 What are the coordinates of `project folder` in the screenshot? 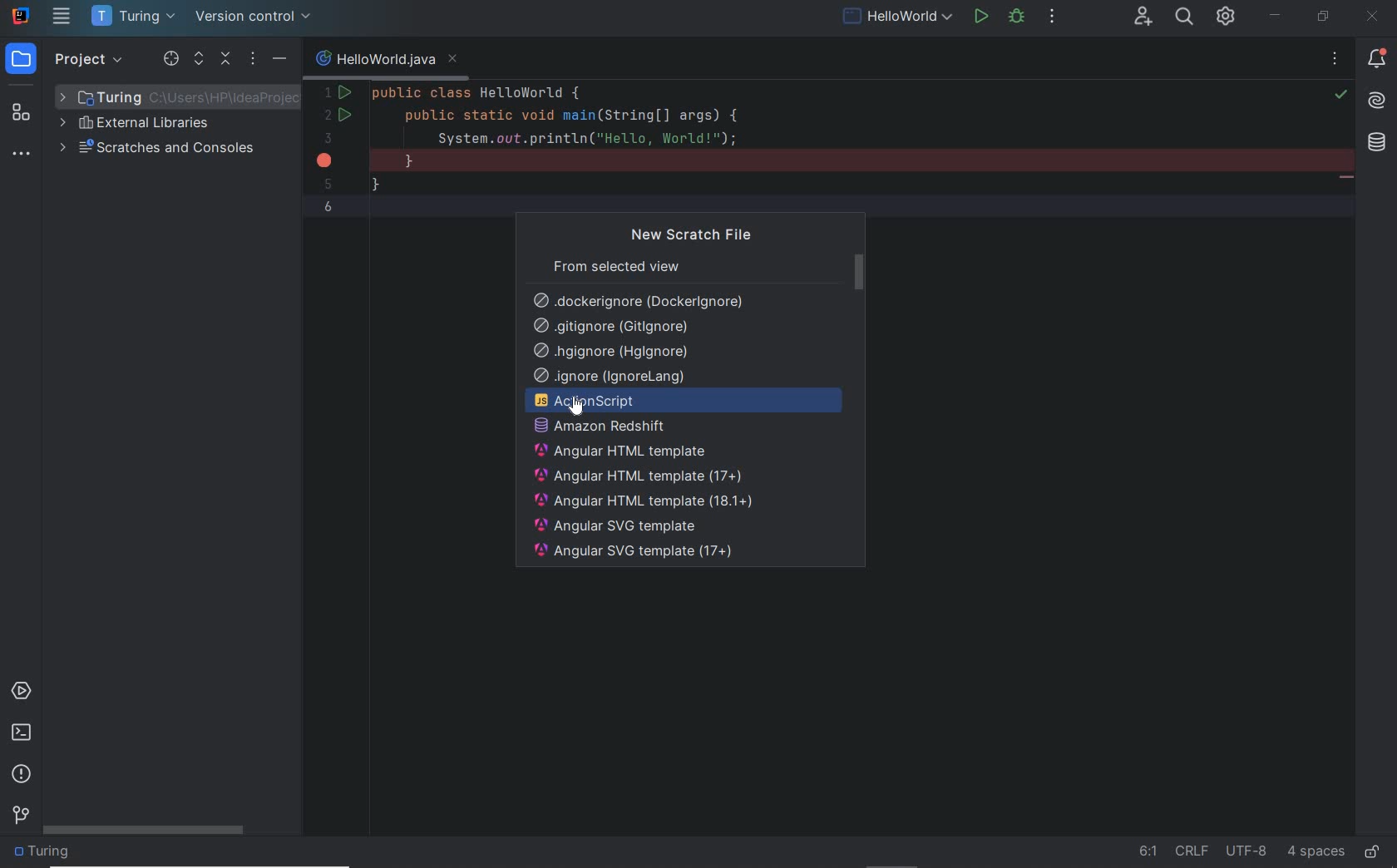 It's located at (179, 96).